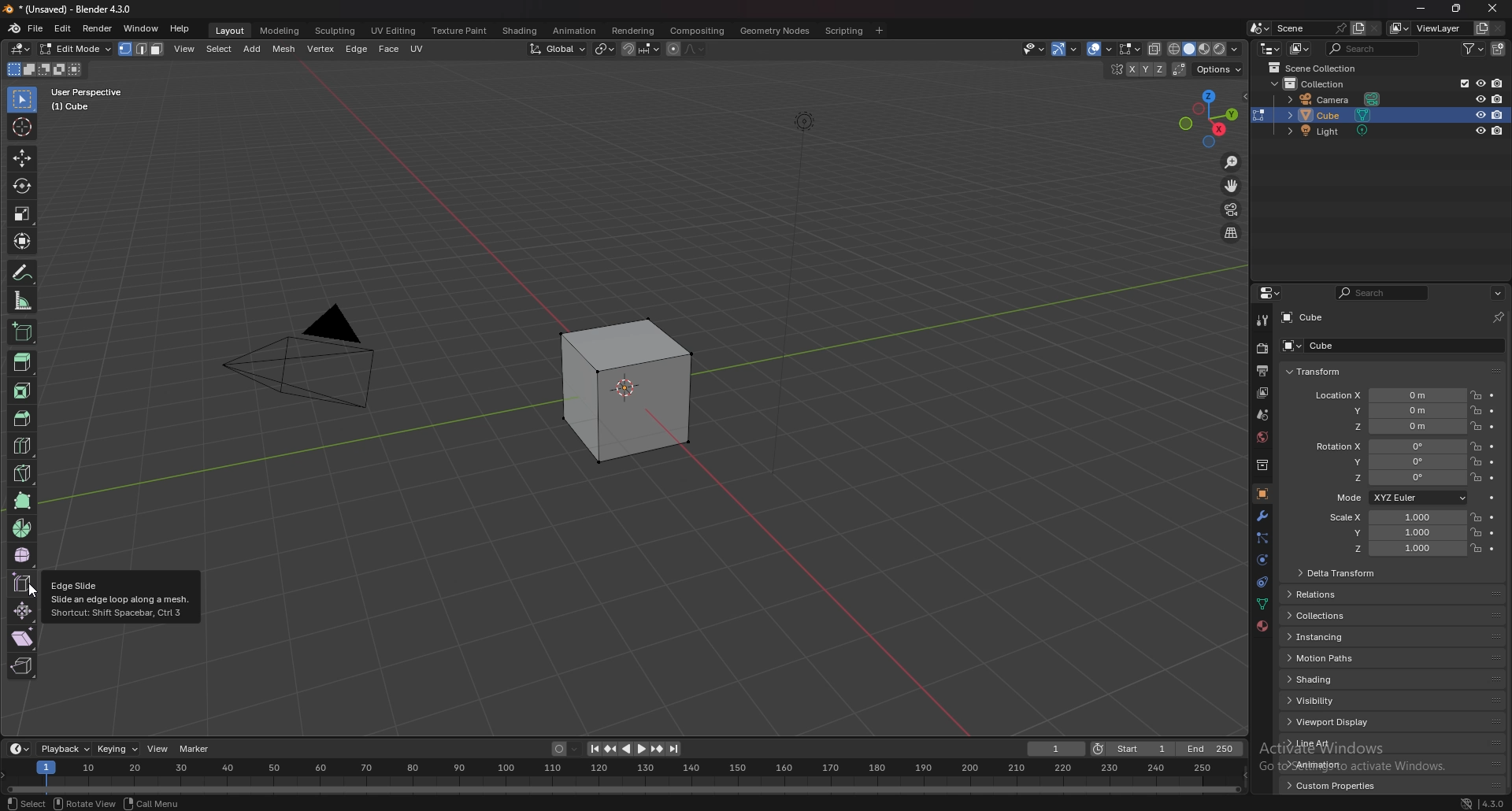 The width and height of the screenshot is (1512, 811). I want to click on lock, so click(1475, 426).